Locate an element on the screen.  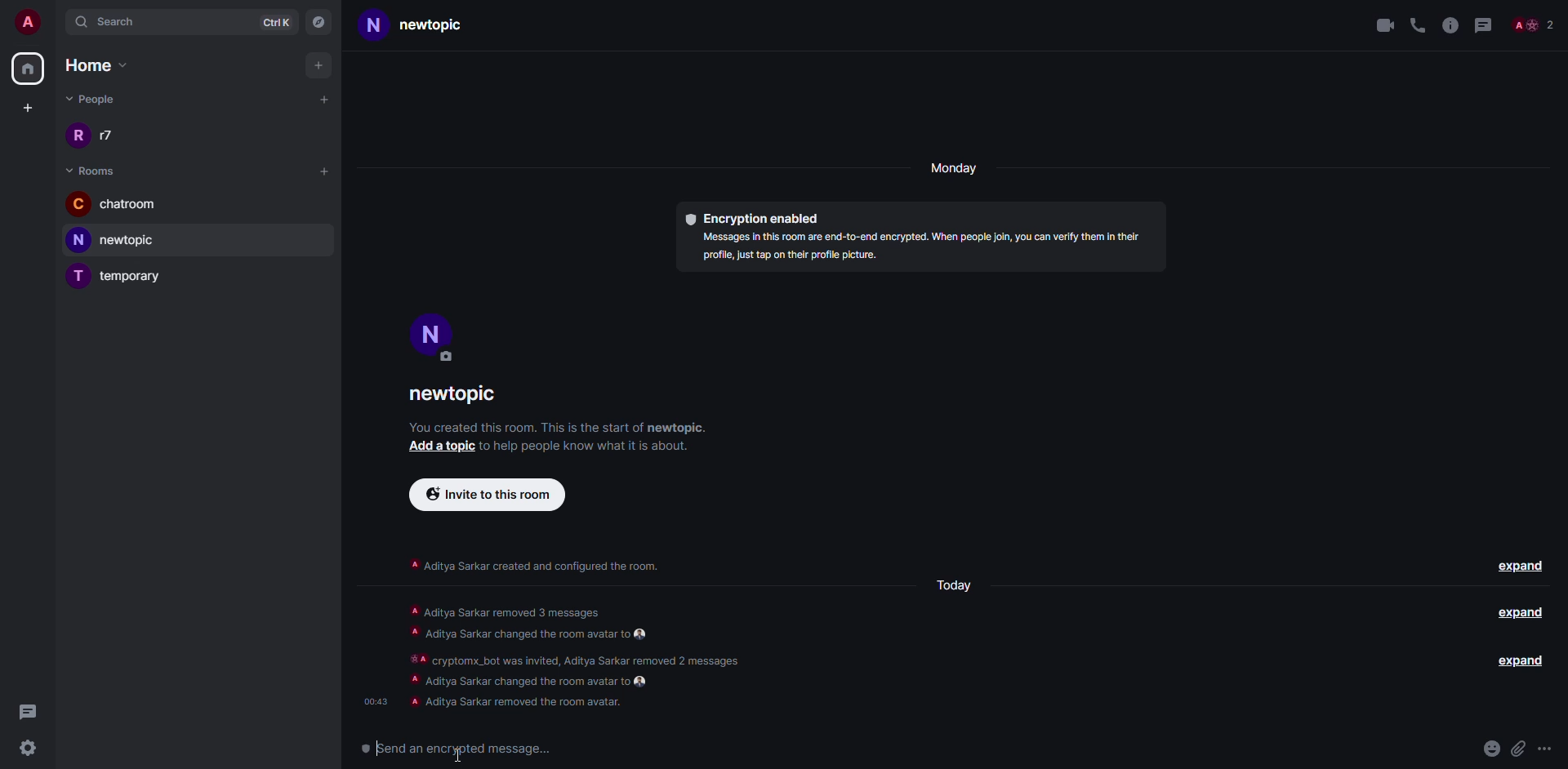
profile is located at coordinates (432, 336).